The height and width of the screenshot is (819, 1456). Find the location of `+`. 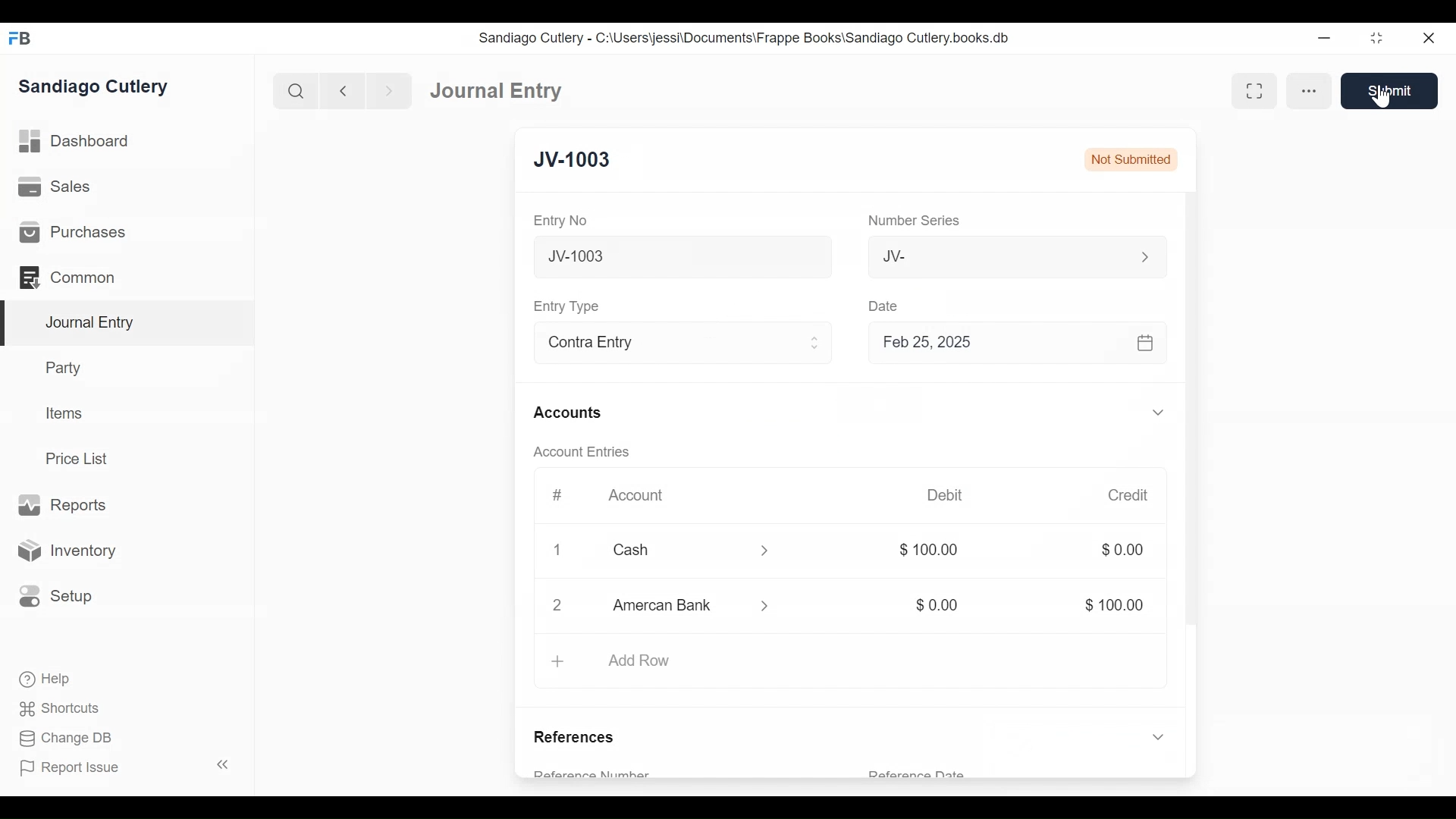

+ is located at coordinates (557, 660).